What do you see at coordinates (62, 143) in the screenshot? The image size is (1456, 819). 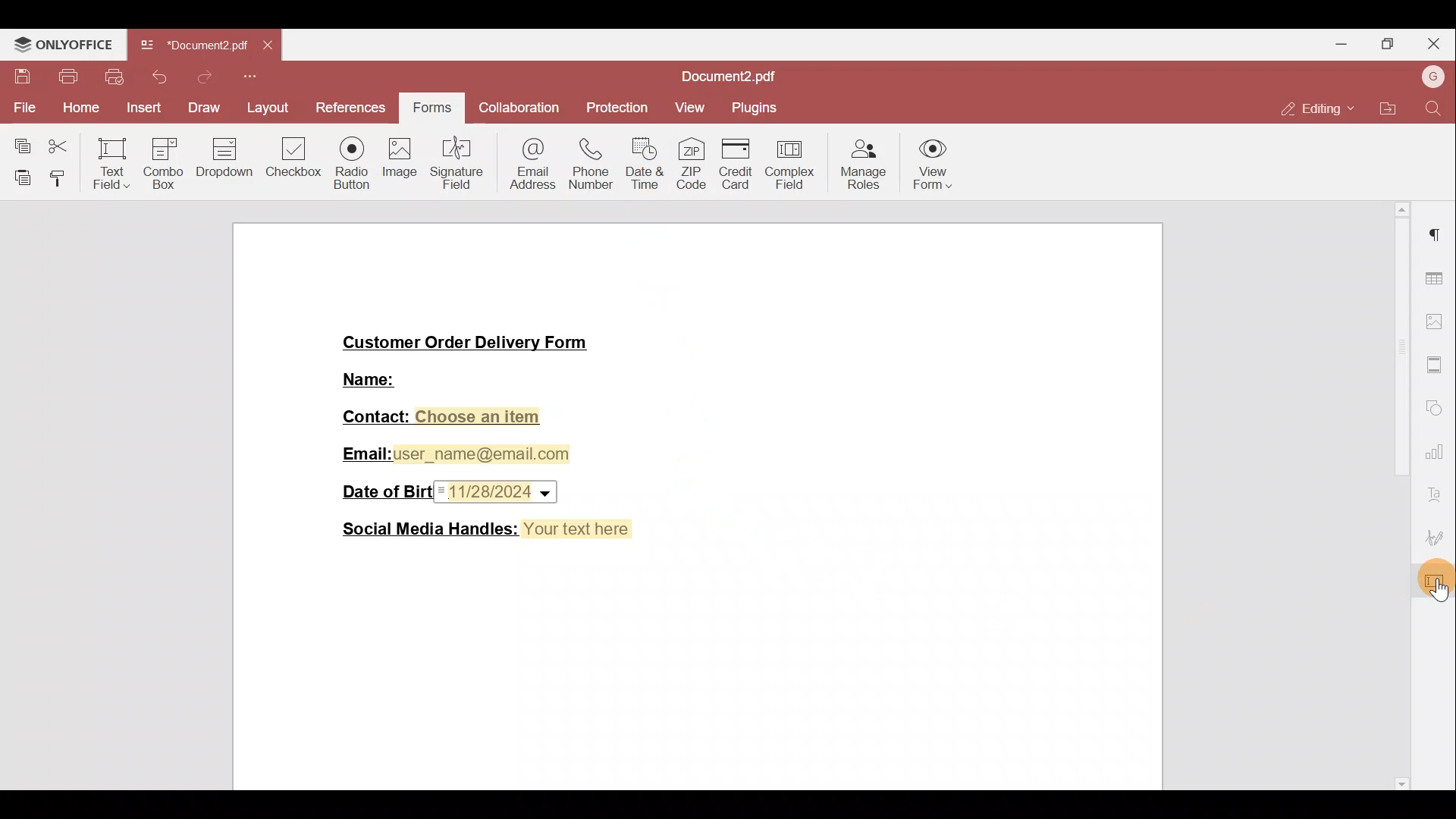 I see `Cut` at bounding box center [62, 143].